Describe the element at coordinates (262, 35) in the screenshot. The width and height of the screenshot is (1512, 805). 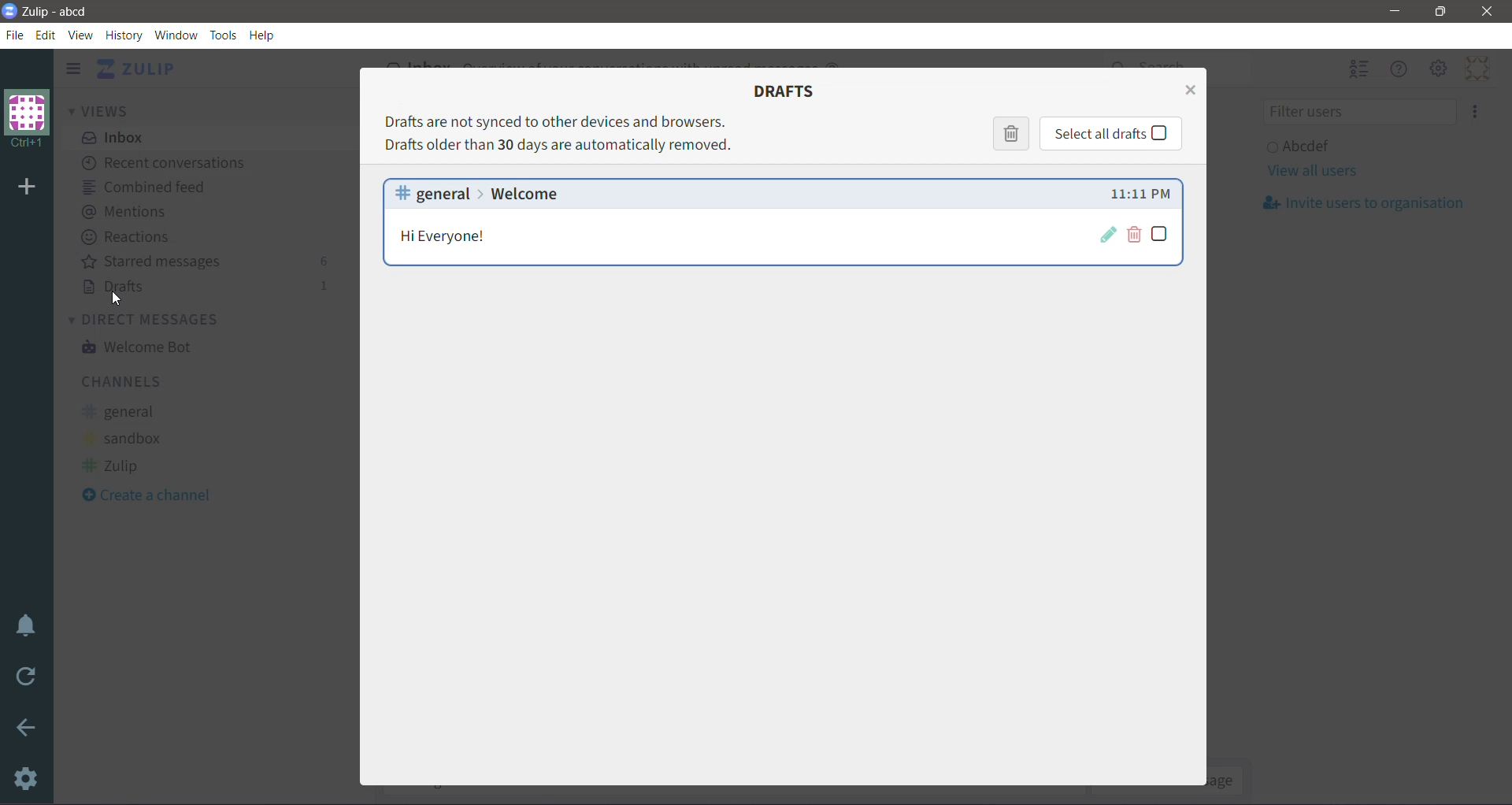
I see `Help` at that location.